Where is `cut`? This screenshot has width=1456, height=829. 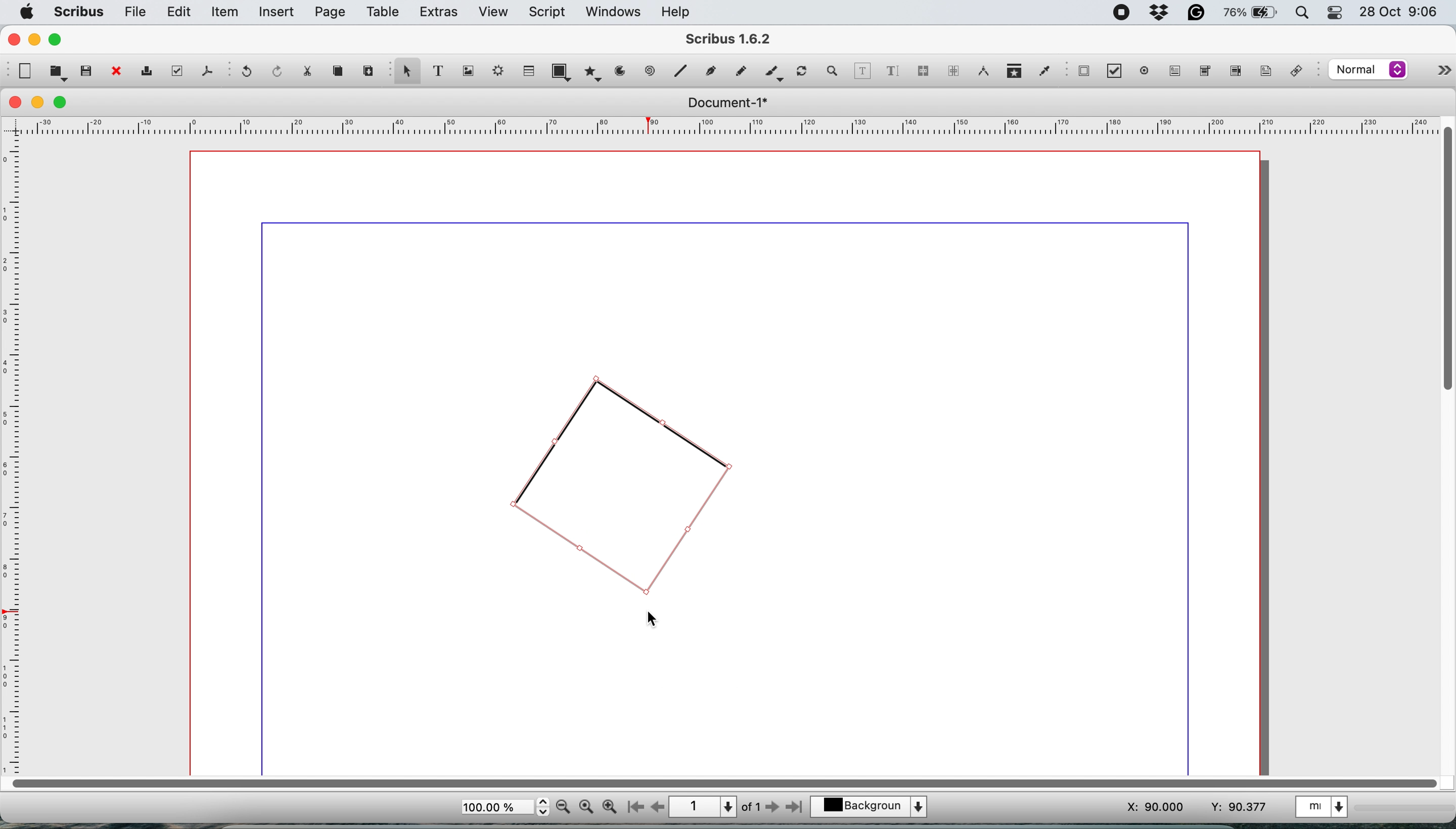
cut is located at coordinates (313, 73).